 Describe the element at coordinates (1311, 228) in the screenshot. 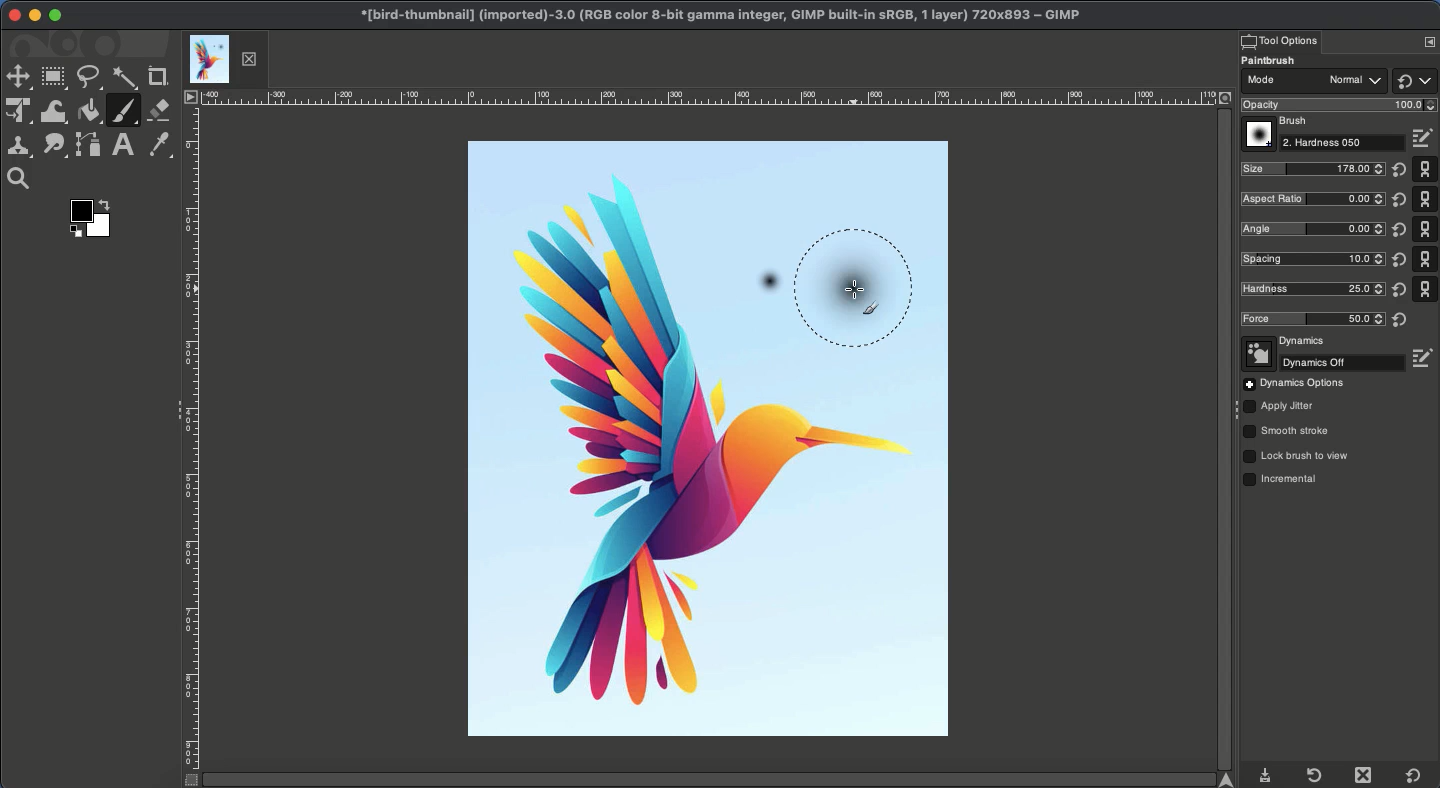

I see `Angle` at that location.